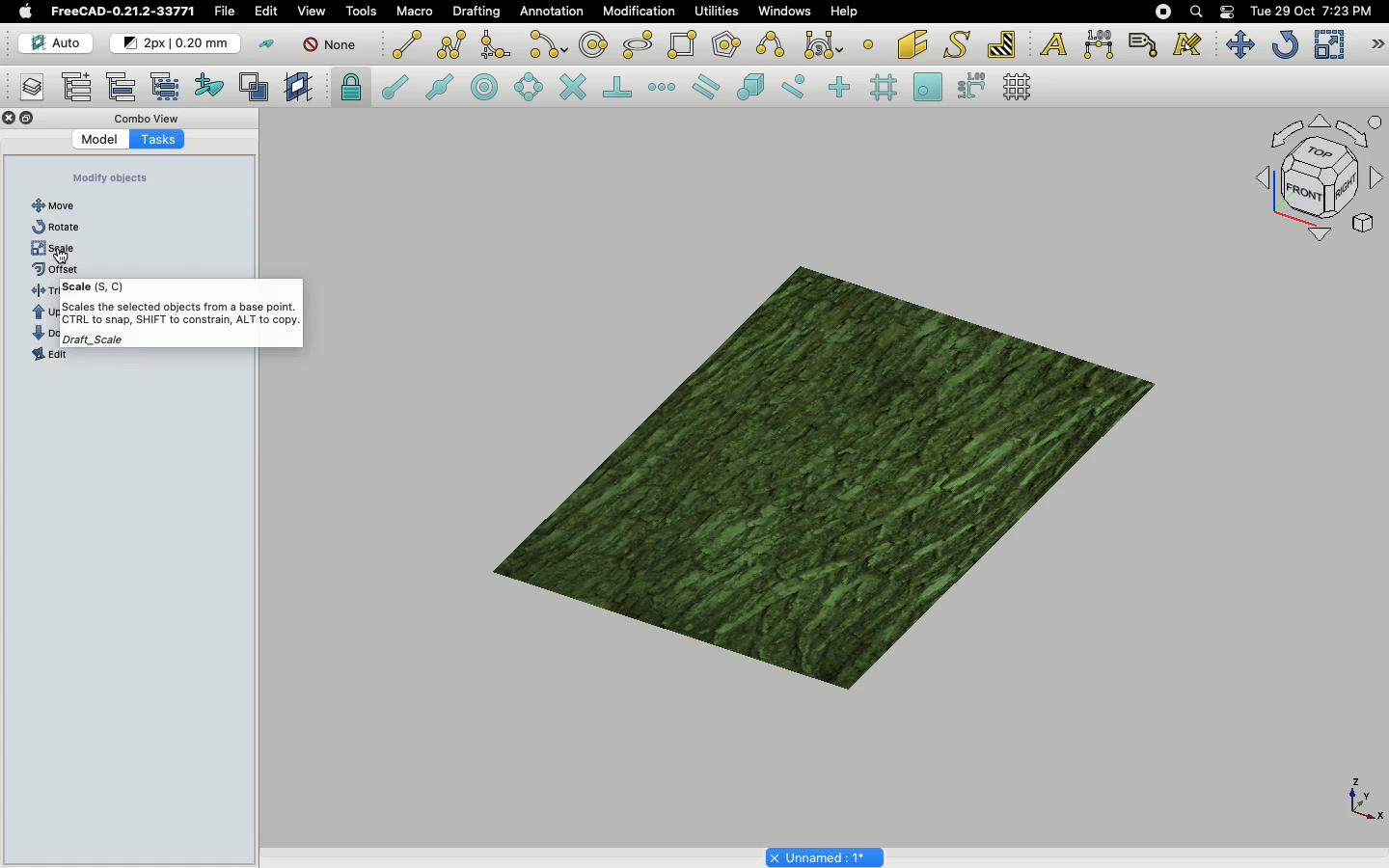 The image size is (1389, 868). What do you see at coordinates (1239, 45) in the screenshot?
I see `Move` at bounding box center [1239, 45].